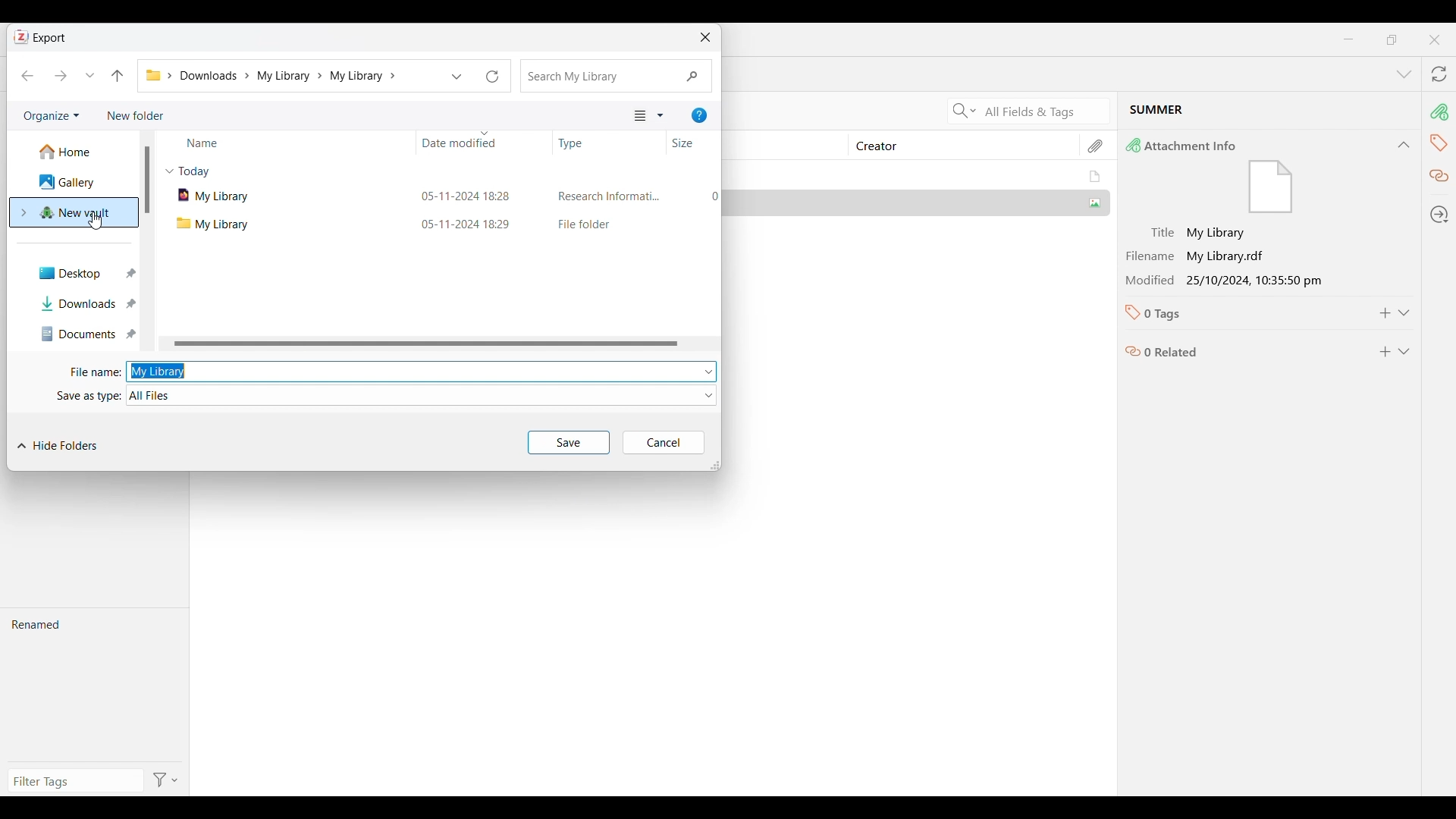 This screenshot has width=1456, height=819. I want to click on Refresh, so click(492, 76).